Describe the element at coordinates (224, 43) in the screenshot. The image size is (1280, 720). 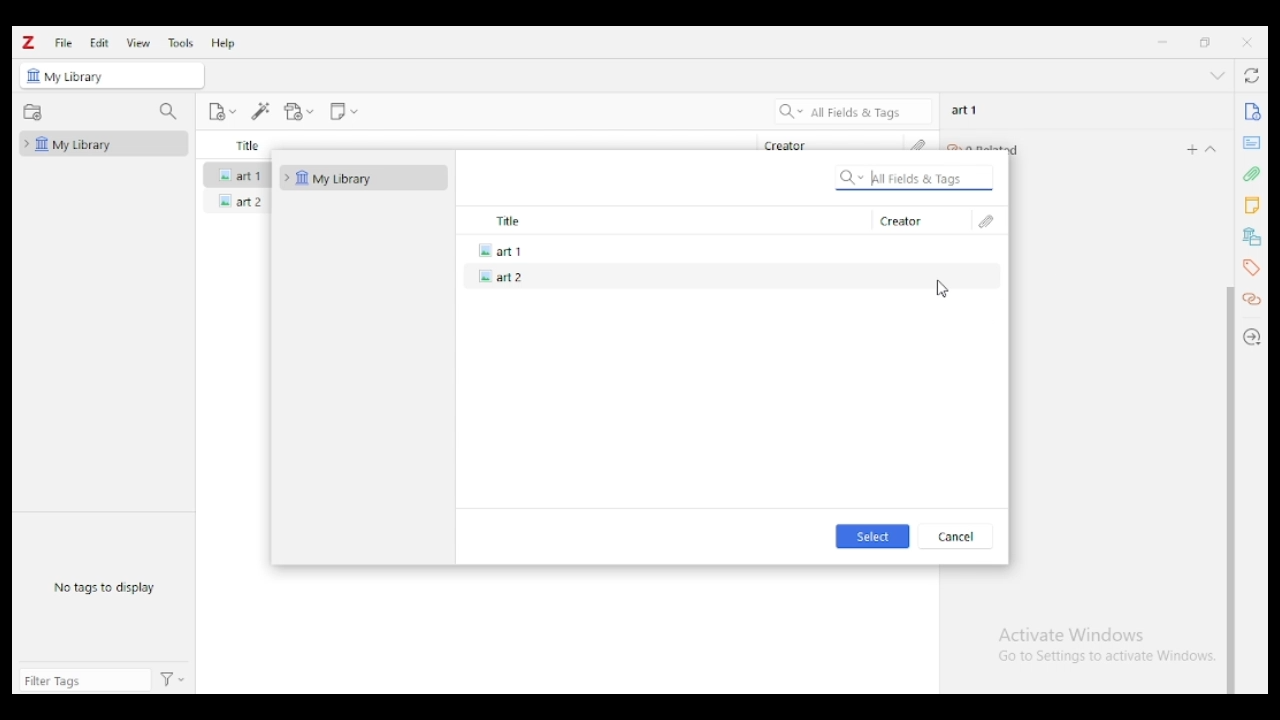
I see `help` at that location.